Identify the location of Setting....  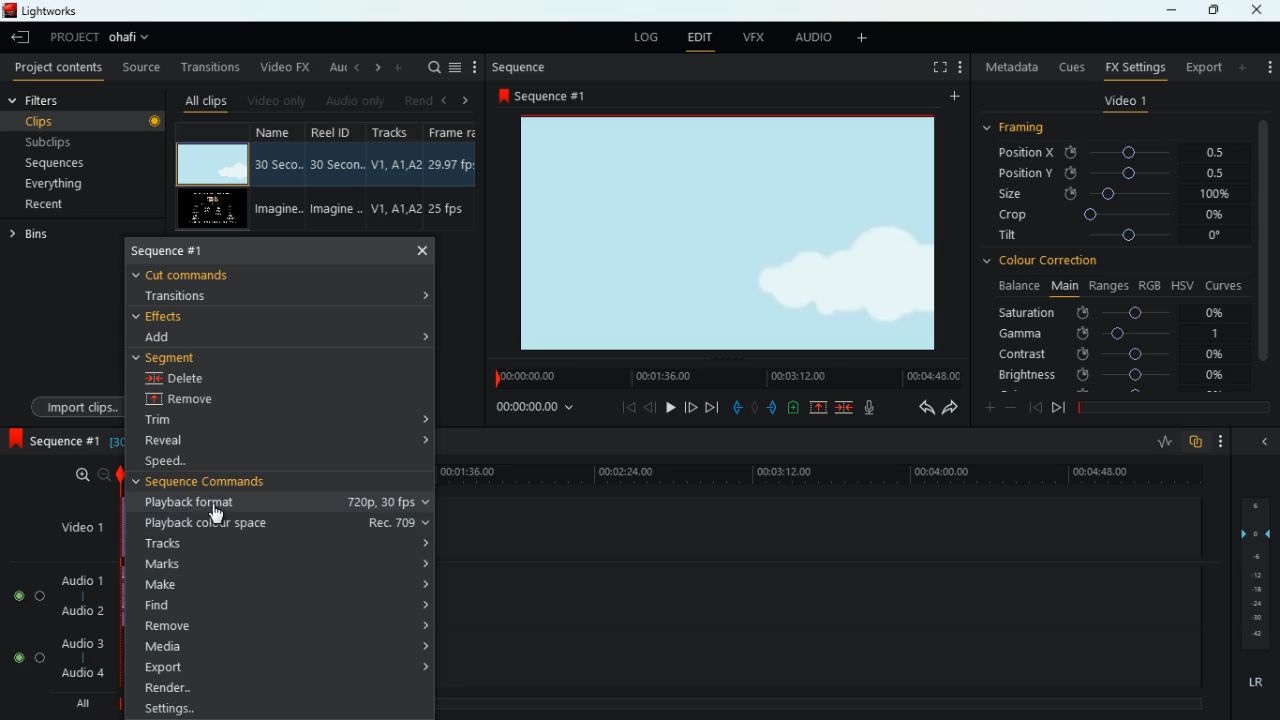
(174, 709).